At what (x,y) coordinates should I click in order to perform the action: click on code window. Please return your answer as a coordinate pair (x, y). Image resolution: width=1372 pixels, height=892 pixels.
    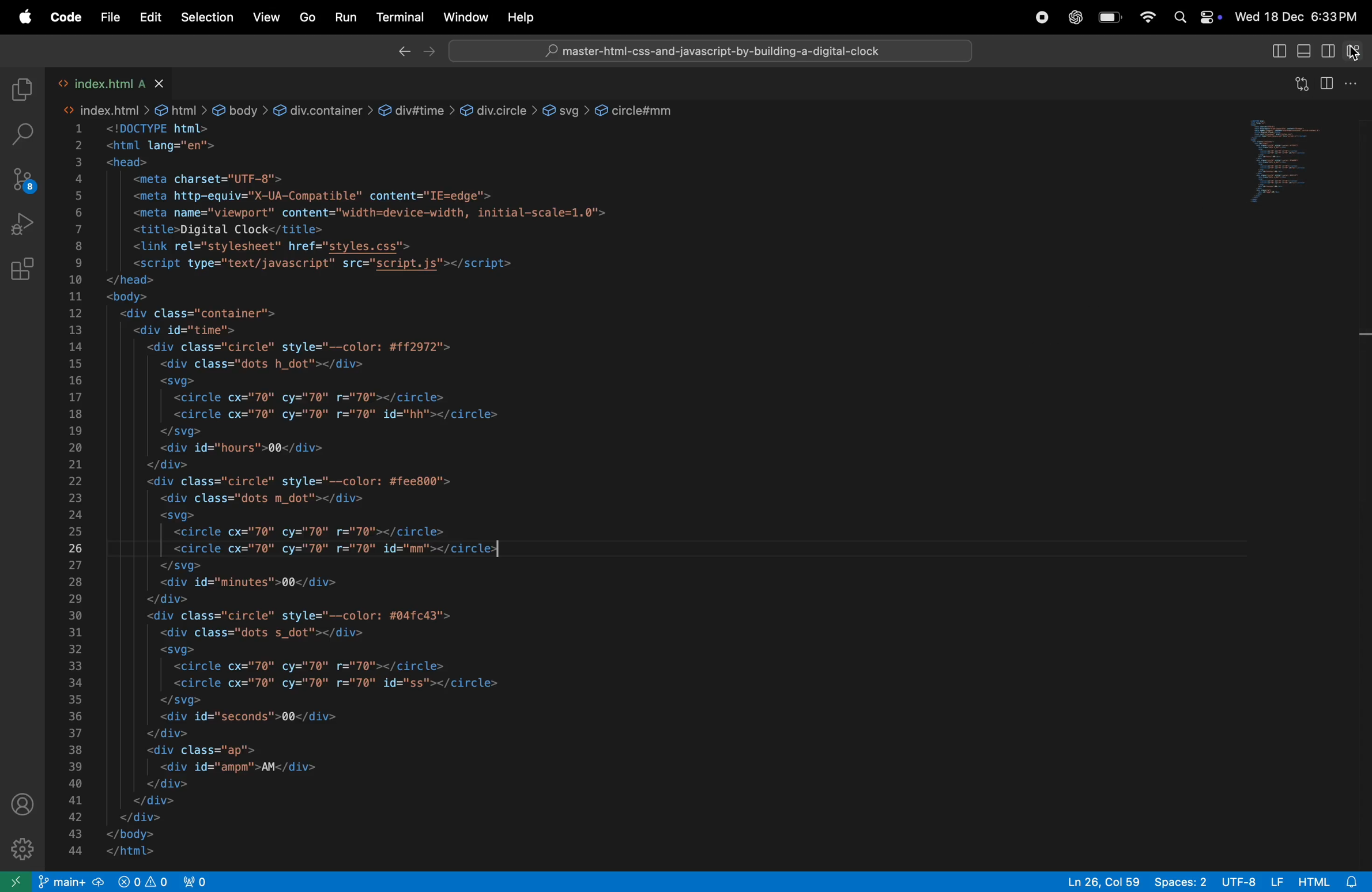
    Looking at the image, I should click on (1300, 160).